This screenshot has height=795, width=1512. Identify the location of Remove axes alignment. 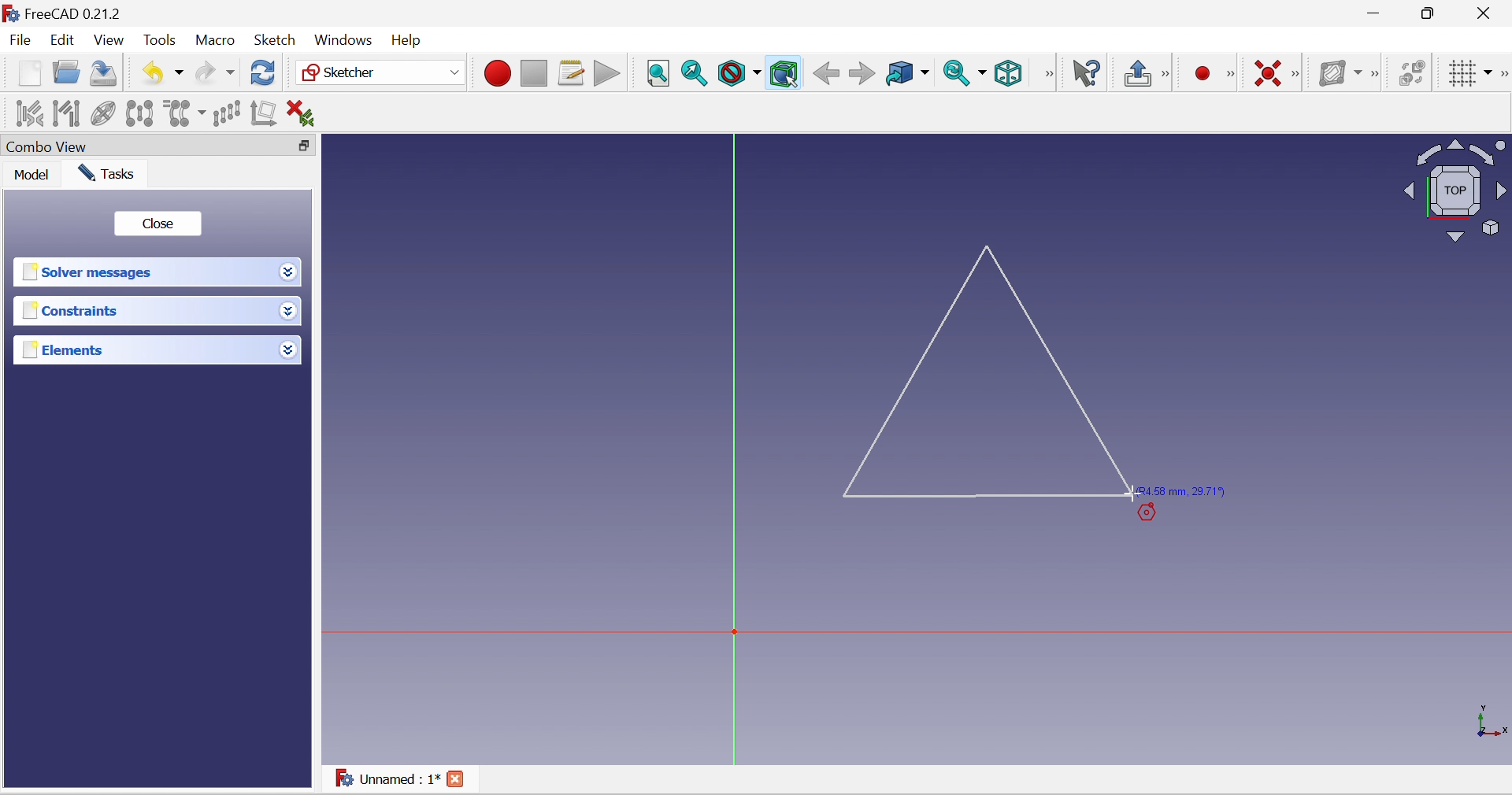
(264, 112).